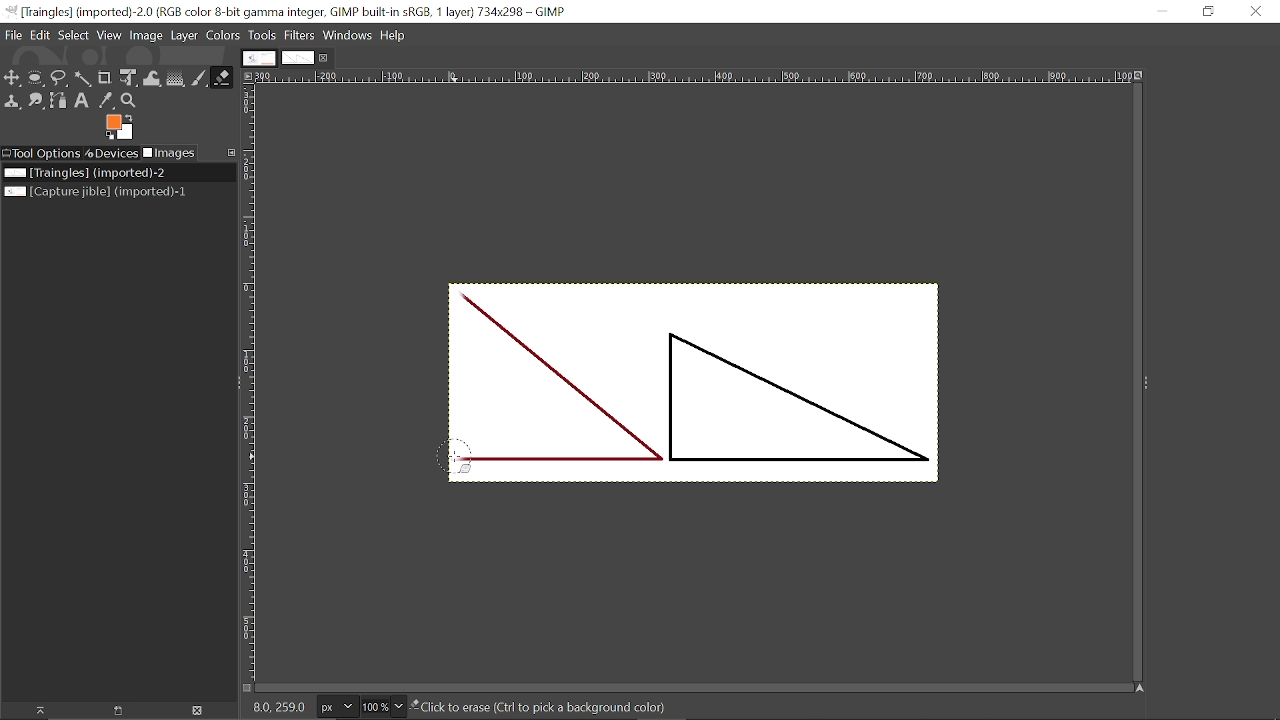  I want to click on Other tab, so click(259, 58).